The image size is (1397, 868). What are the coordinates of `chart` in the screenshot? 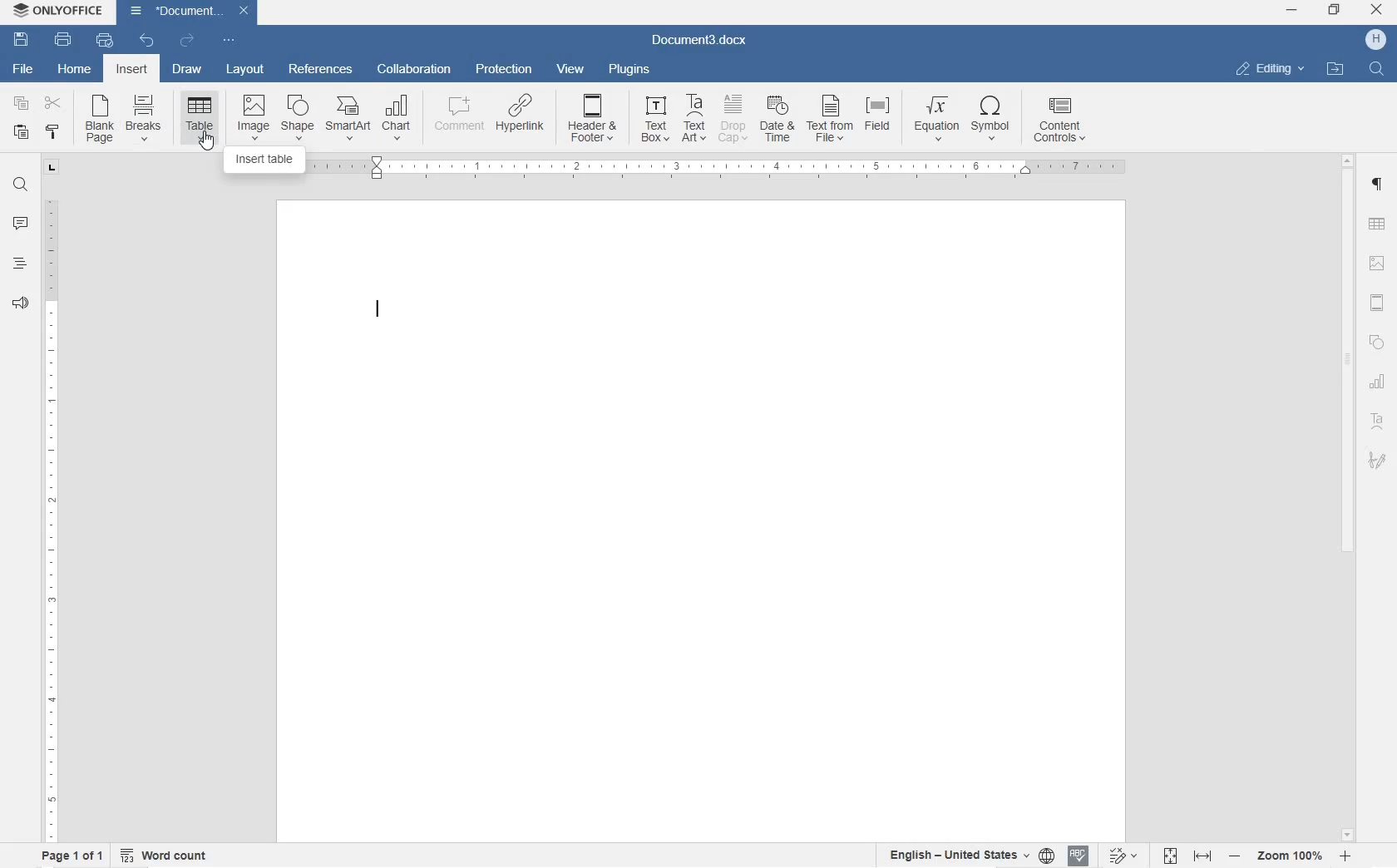 It's located at (397, 118).